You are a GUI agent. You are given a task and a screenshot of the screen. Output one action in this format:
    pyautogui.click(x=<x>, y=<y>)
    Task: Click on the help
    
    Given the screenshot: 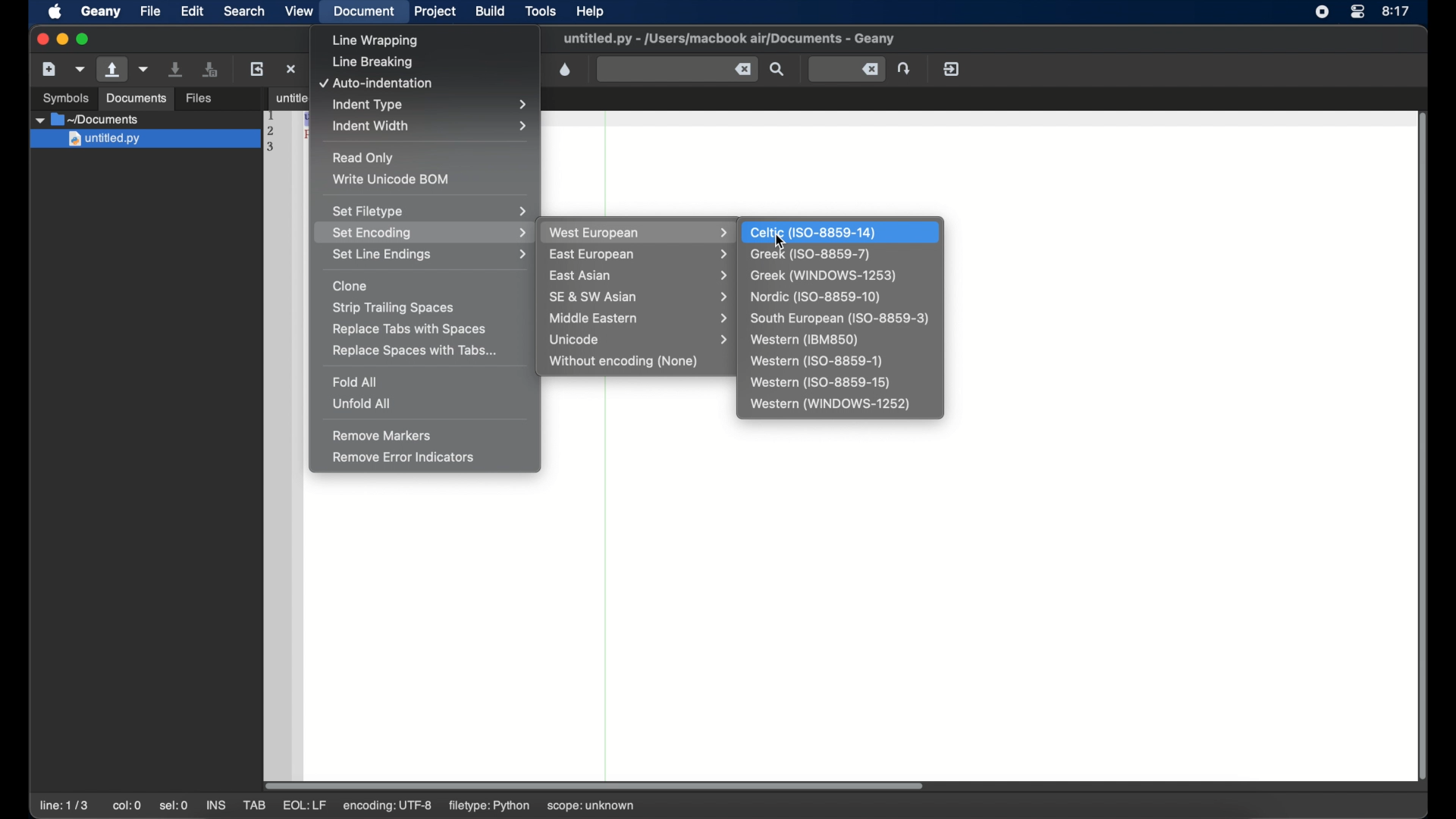 What is the action you would take?
    pyautogui.click(x=590, y=11)
    